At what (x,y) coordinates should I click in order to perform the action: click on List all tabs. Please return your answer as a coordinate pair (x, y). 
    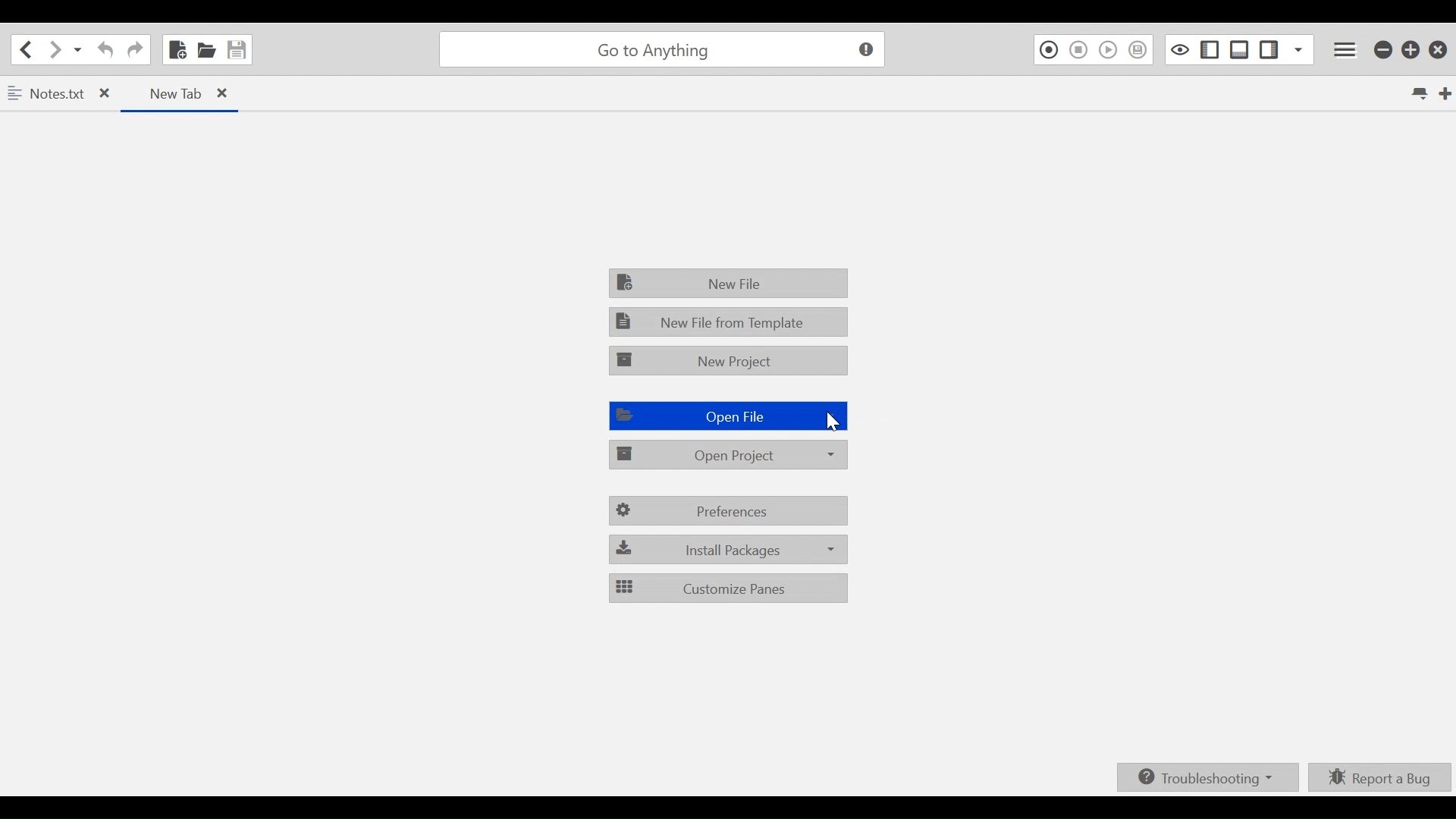
    Looking at the image, I should click on (1418, 93).